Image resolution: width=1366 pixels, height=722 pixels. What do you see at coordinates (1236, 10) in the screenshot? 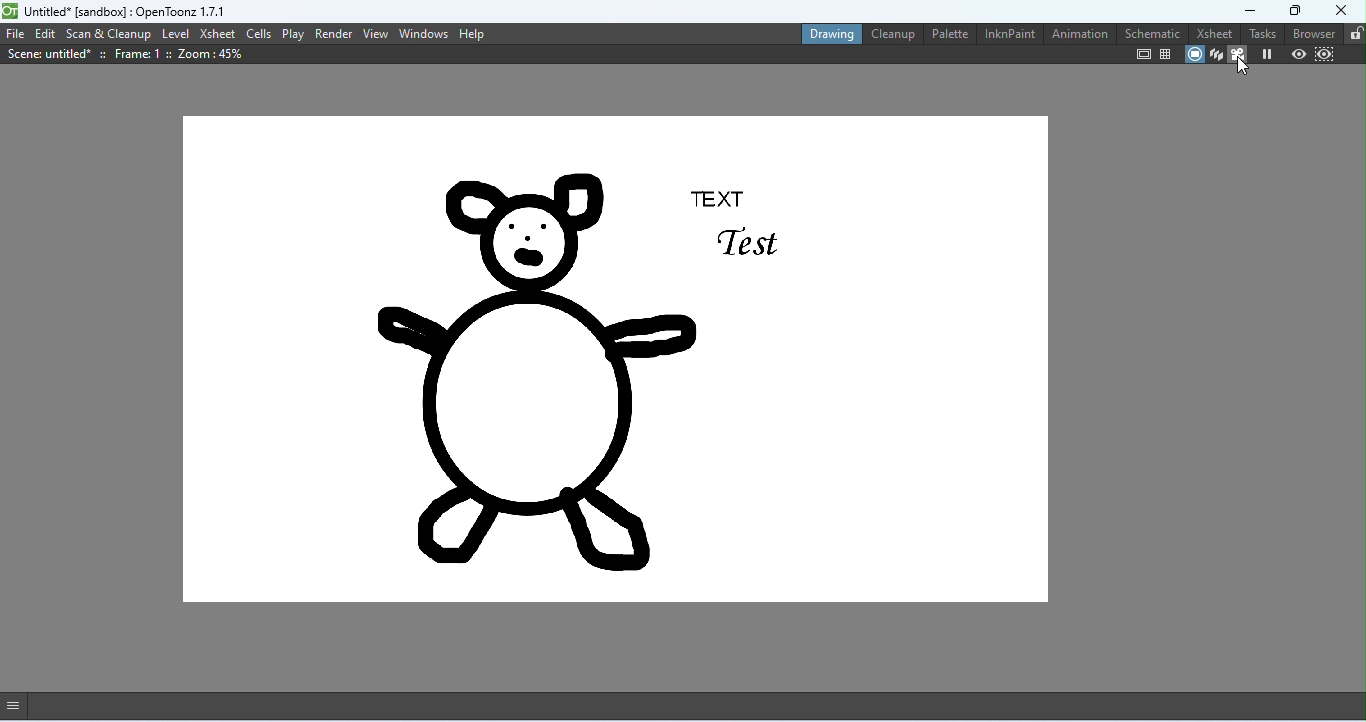
I see `minimize` at bounding box center [1236, 10].